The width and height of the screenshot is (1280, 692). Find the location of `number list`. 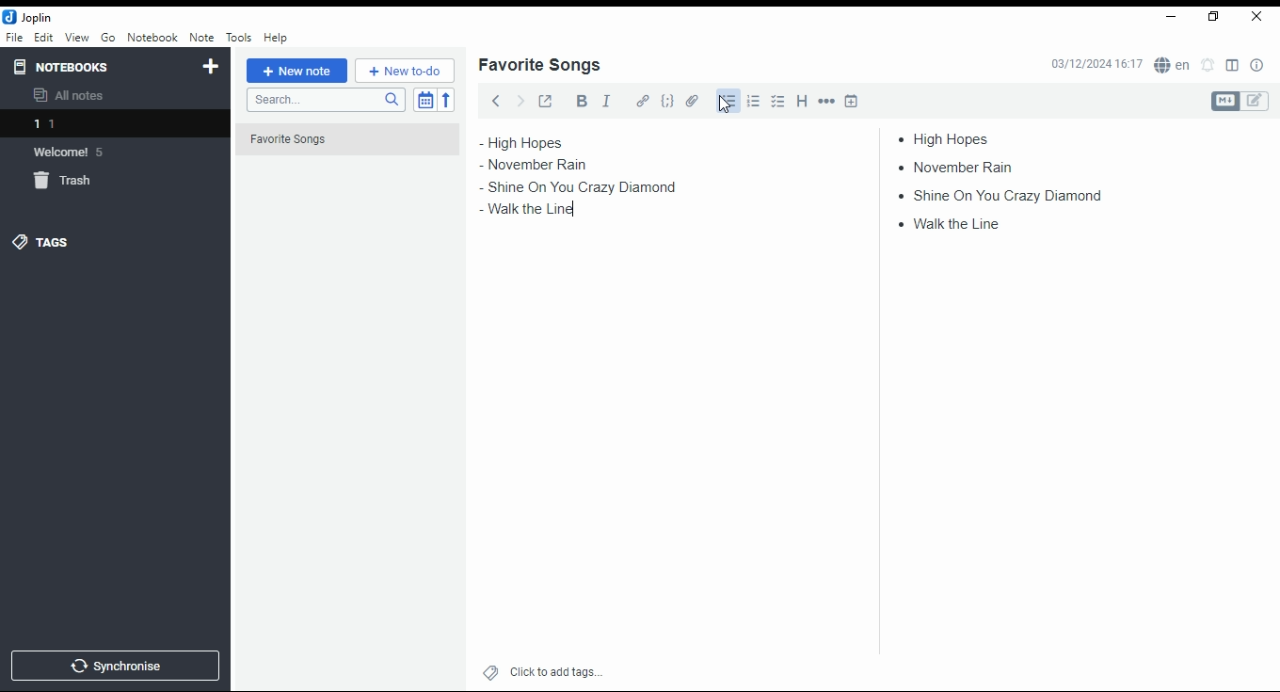

number list is located at coordinates (754, 100).